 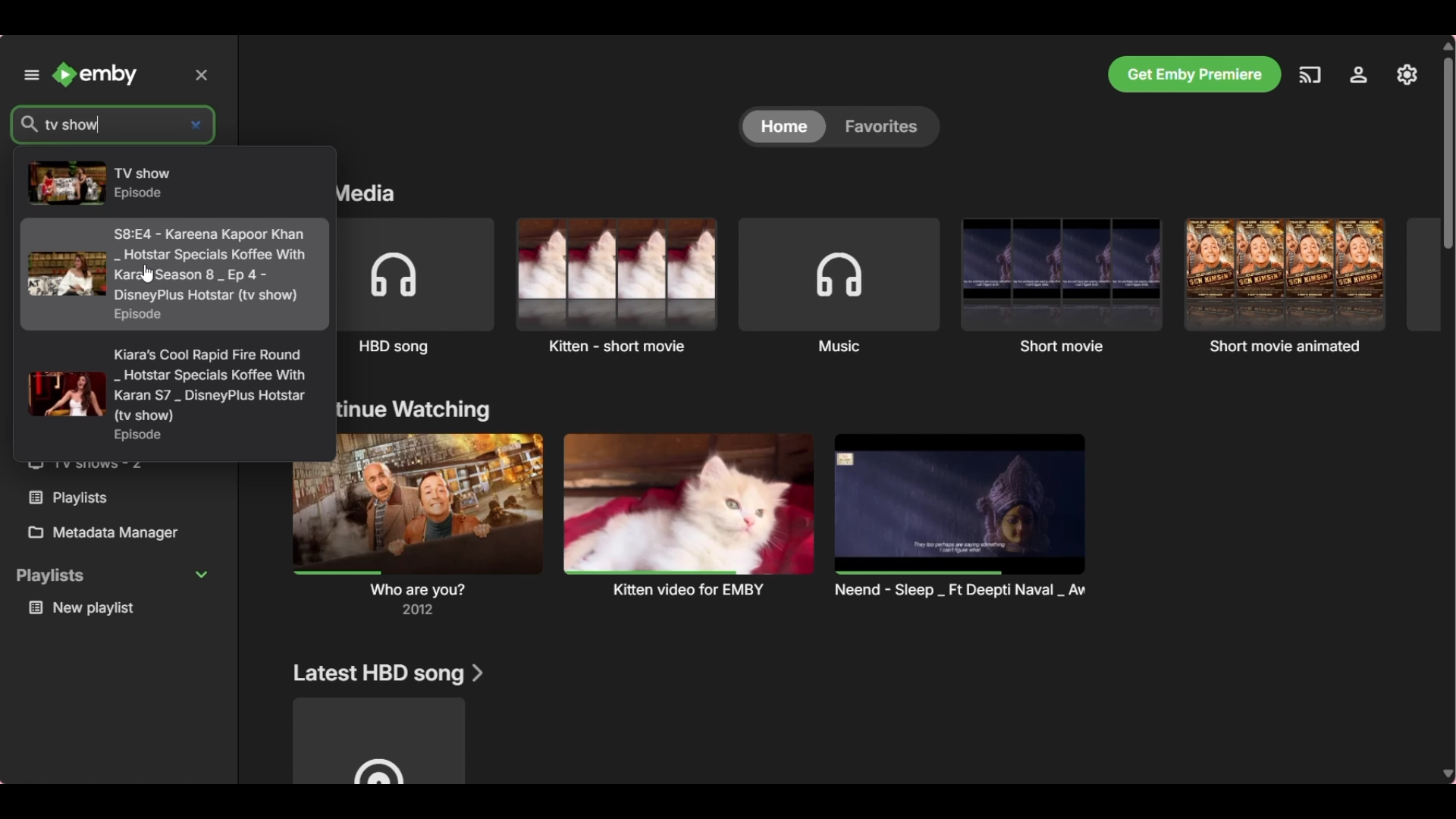 What do you see at coordinates (839, 286) in the screenshot?
I see `Music` at bounding box center [839, 286].